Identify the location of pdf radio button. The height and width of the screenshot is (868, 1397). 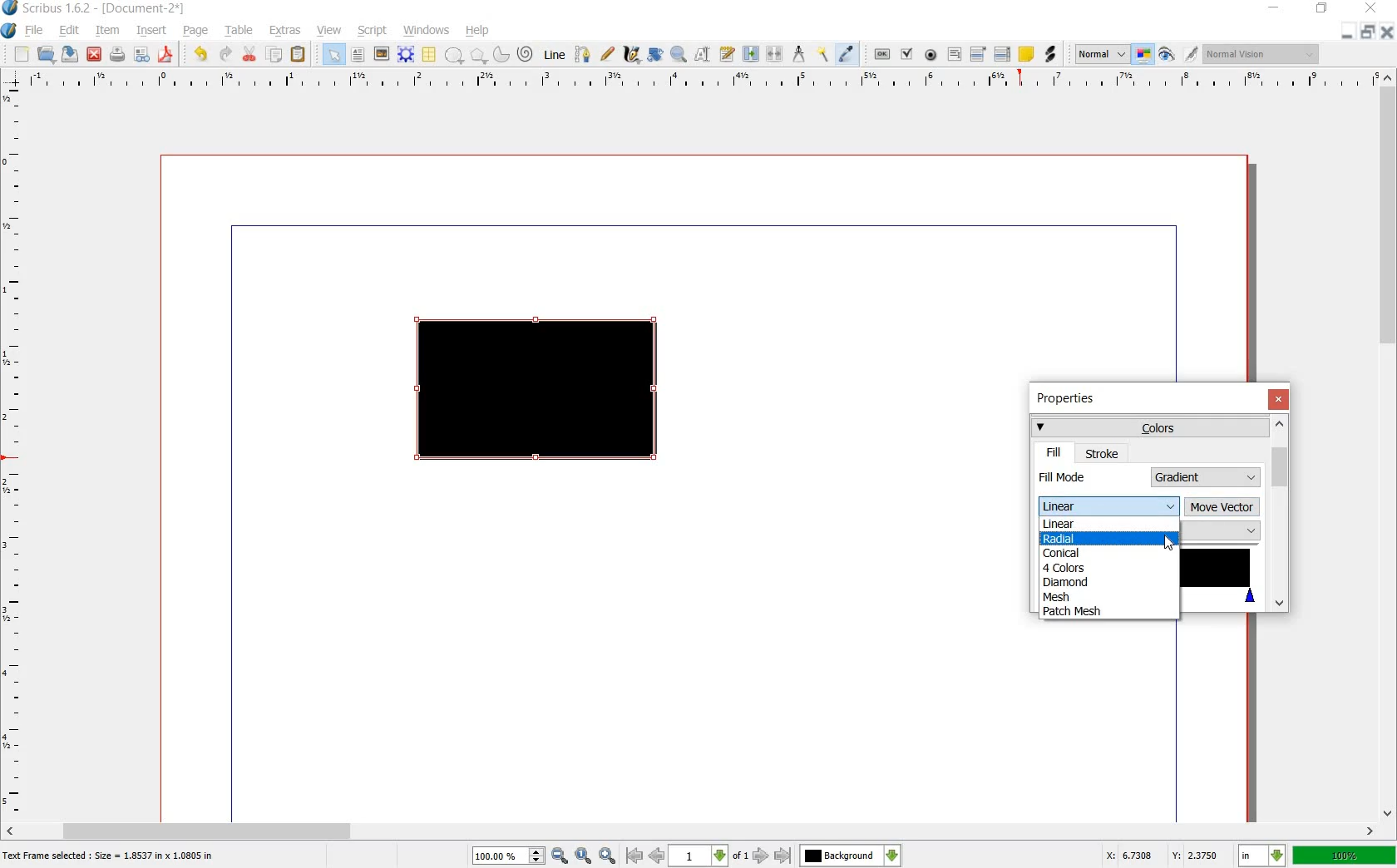
(931, 55).